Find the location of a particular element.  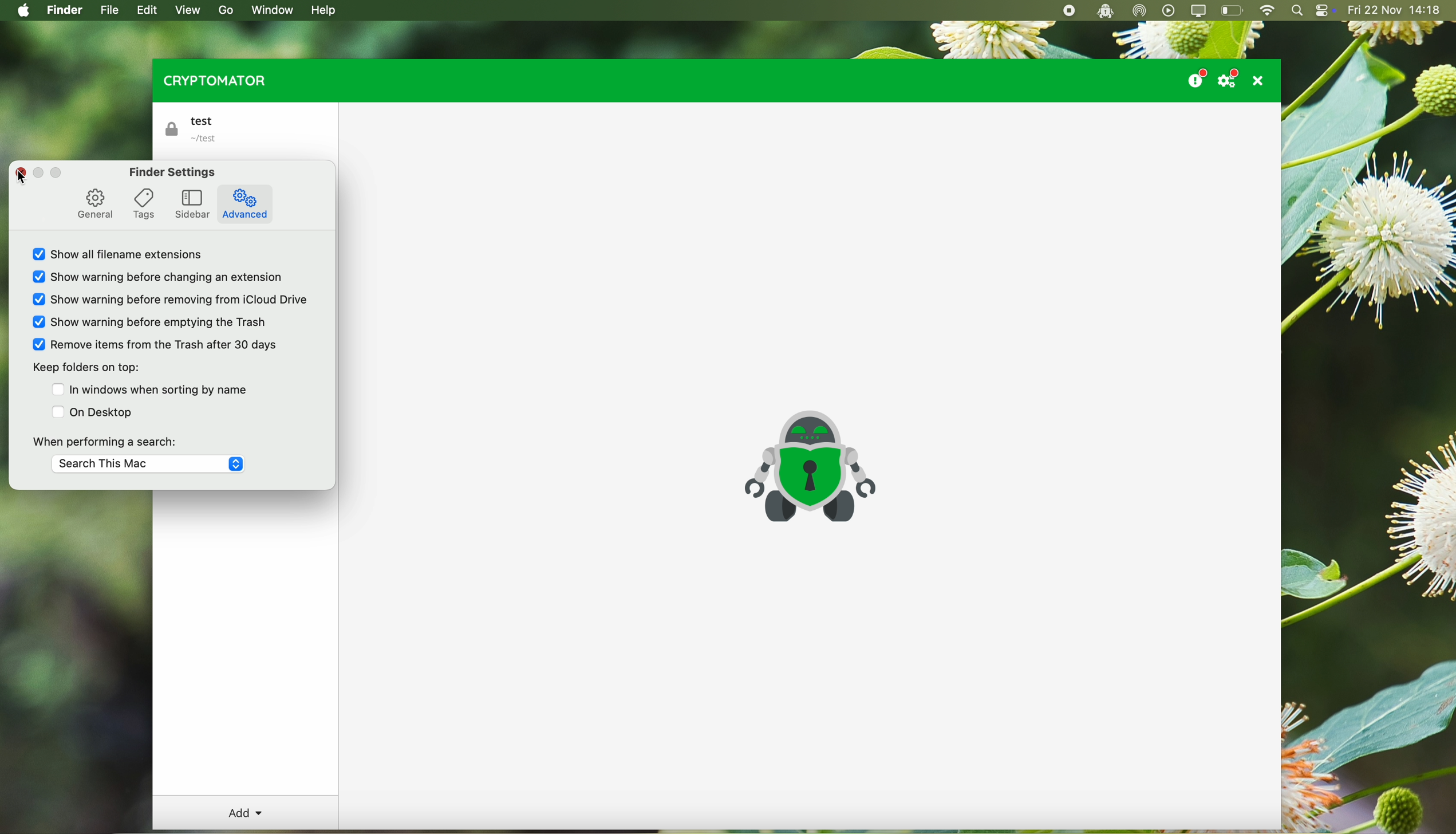

edit is located at coordinates (150, 11).